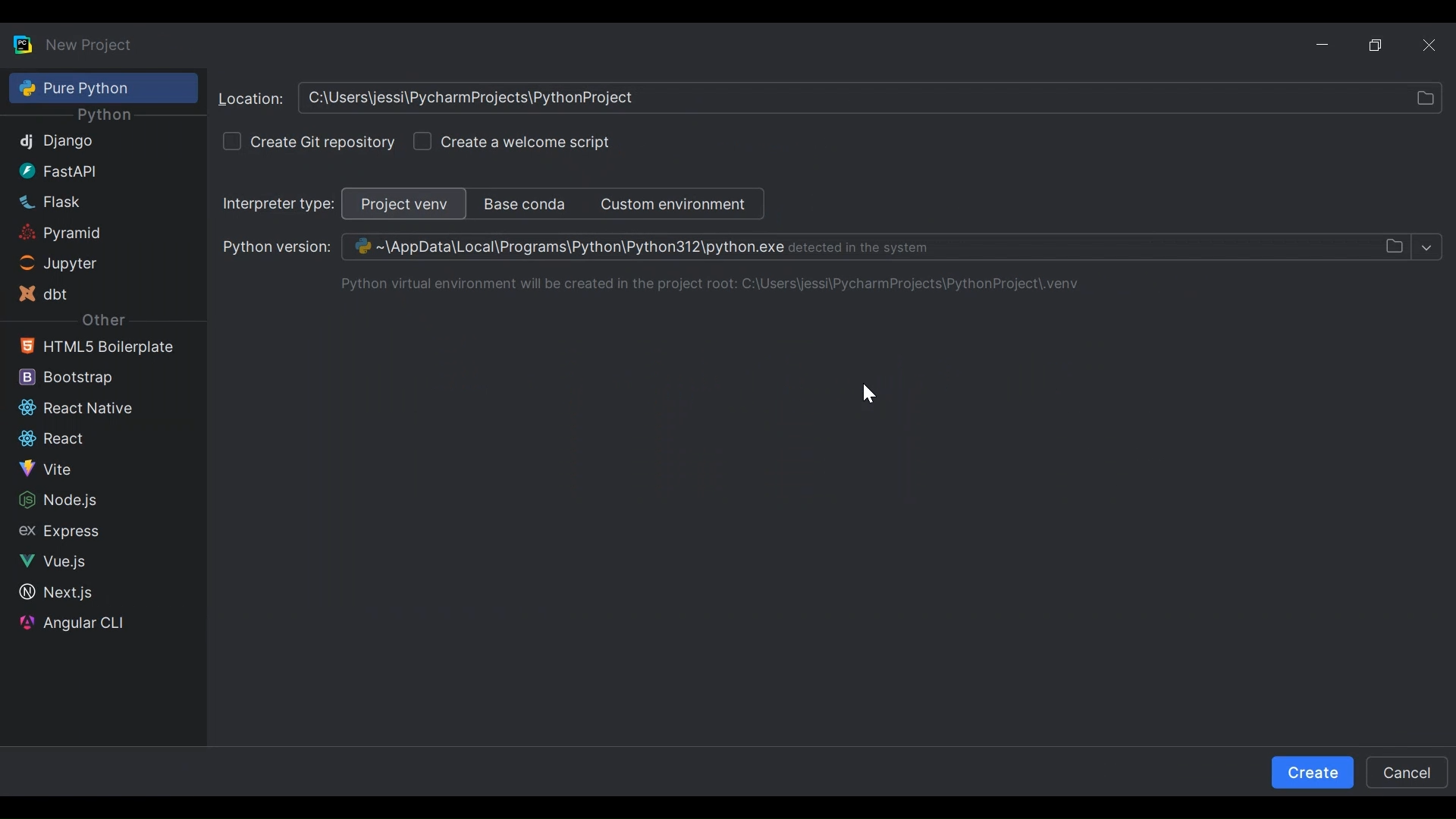 The height and width of the screenshot is (819, 1456). What do you see at coordinates (96, 623) in the screenshot?
I see `Angular CLI` at bounding box center [96, 623].